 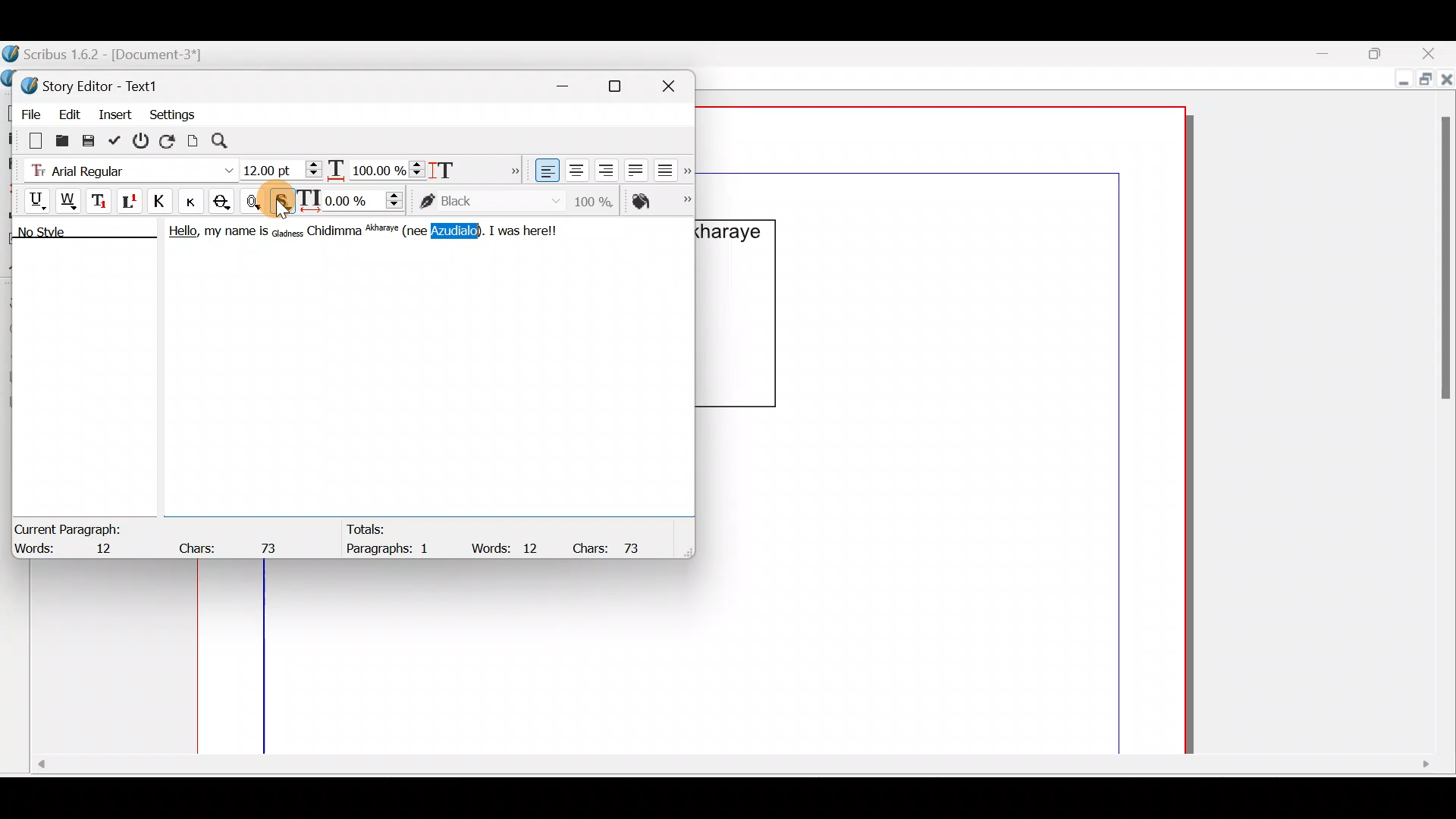 What do you see at coordinates (511, 168) in the screenshot?
I see `More` at bounding box center [511, 168].